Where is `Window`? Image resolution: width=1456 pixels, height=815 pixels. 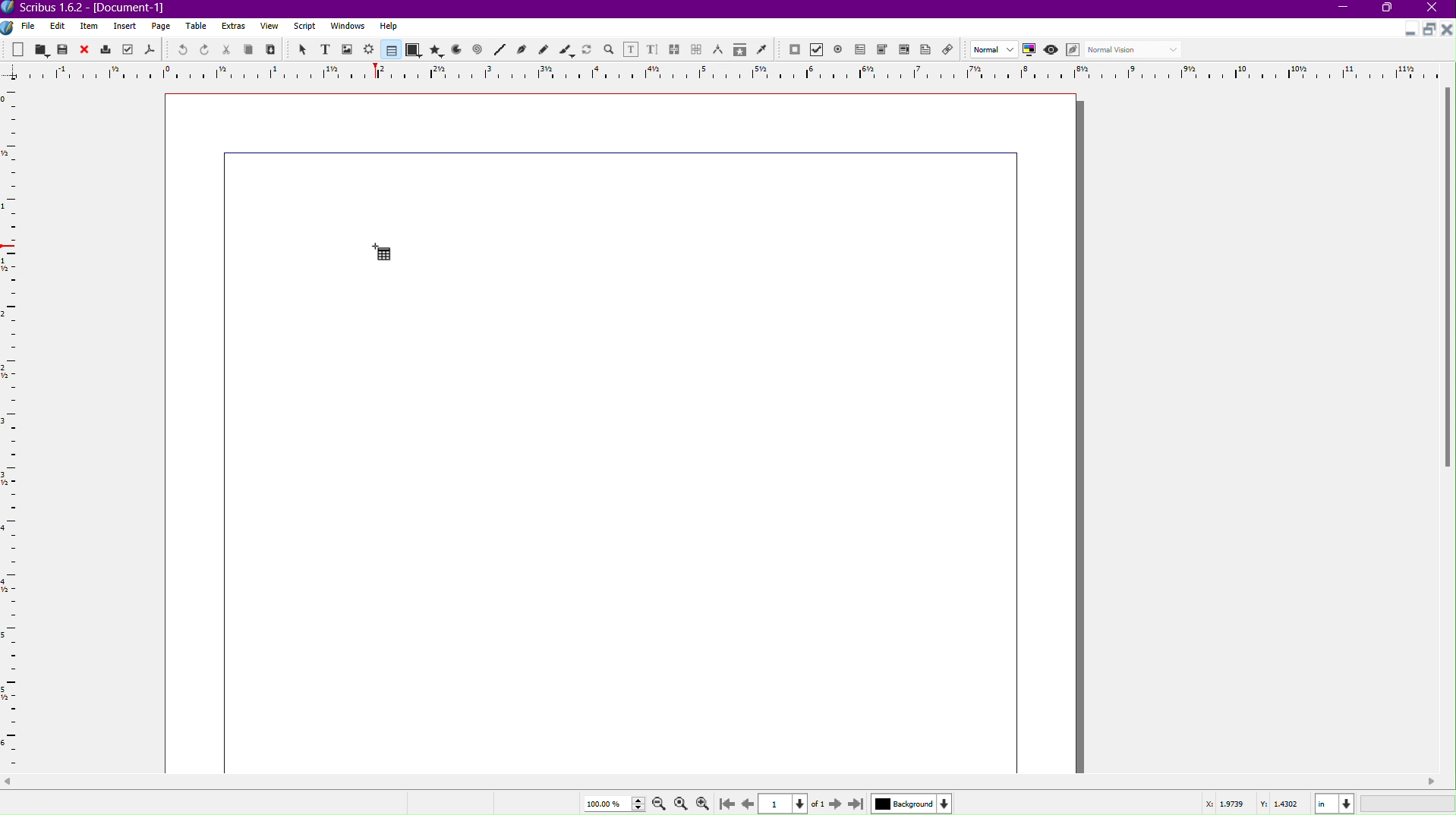 Window is located at coordinates (345, 28).